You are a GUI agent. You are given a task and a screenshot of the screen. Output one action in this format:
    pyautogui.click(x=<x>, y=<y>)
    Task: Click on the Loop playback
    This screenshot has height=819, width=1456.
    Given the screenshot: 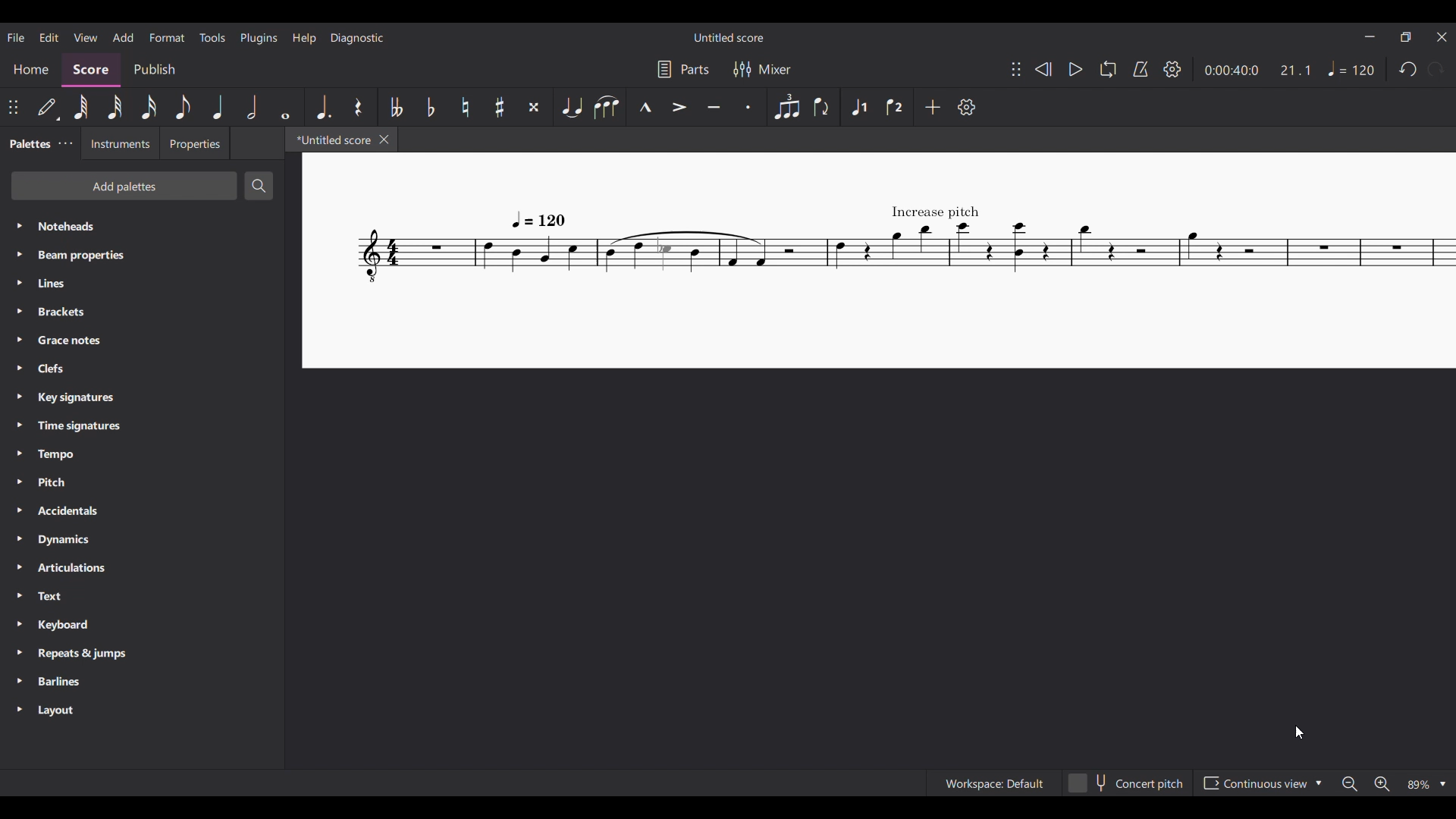 What is the action you would take?
    pyautogui.click(x=1108, y=69)
    